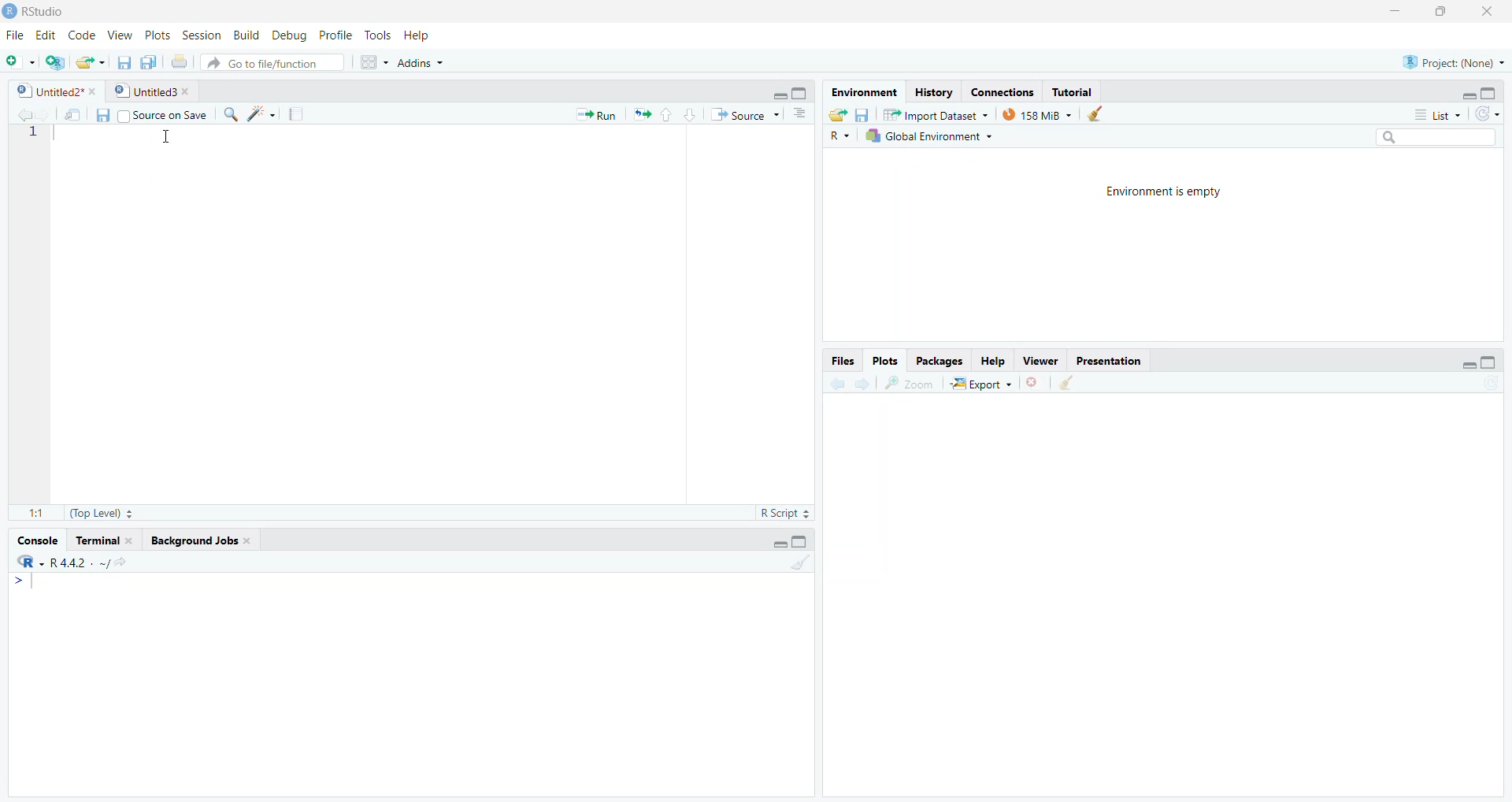  What do you see at coordinates (180, 61) in the screenshot?
I see `Print document` at bounding box center [180, 61].